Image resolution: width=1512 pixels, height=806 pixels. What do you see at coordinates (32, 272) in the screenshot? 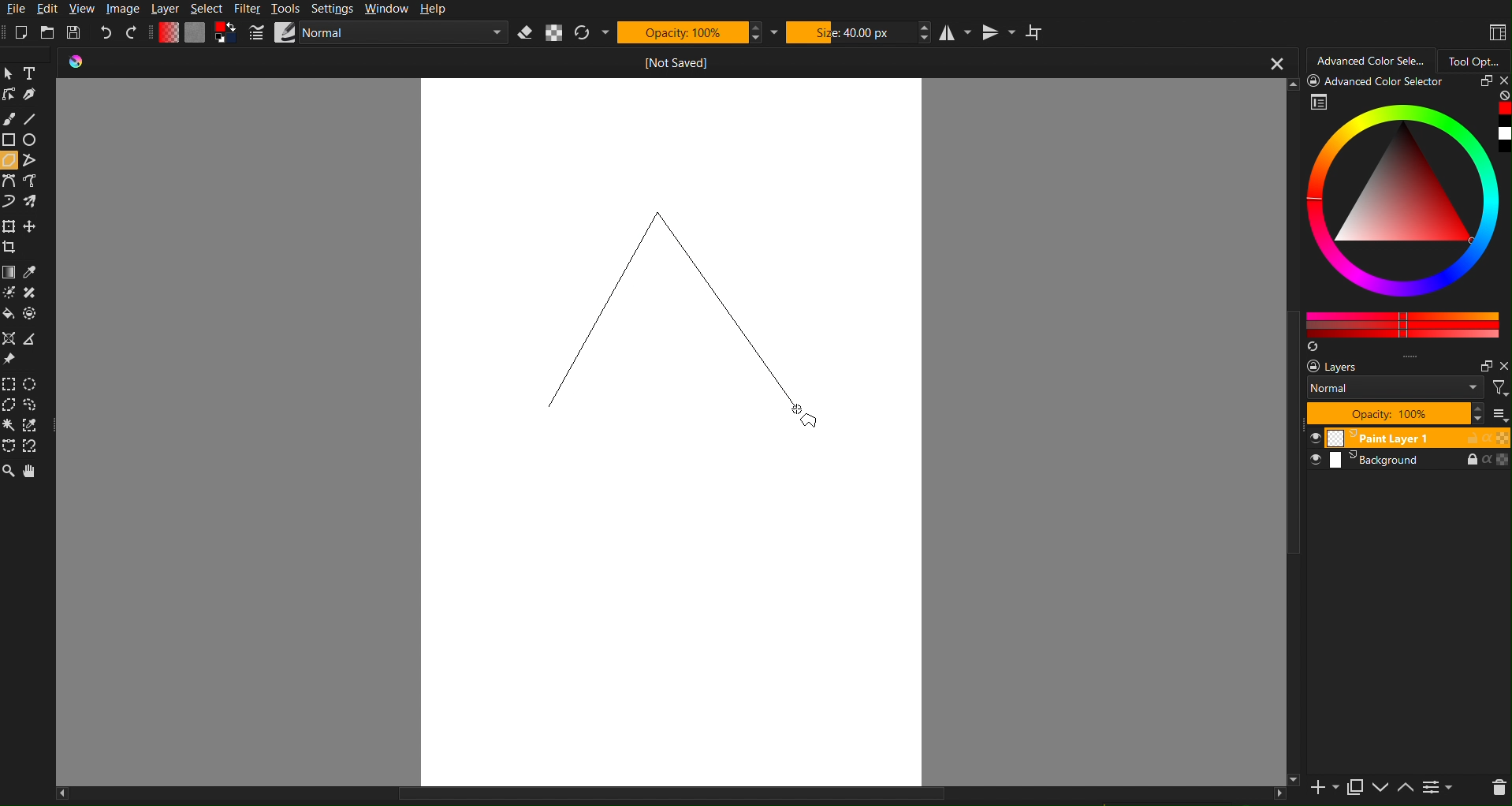
I see `sample a color from the image or current layer` at bounding box center [32, 272].